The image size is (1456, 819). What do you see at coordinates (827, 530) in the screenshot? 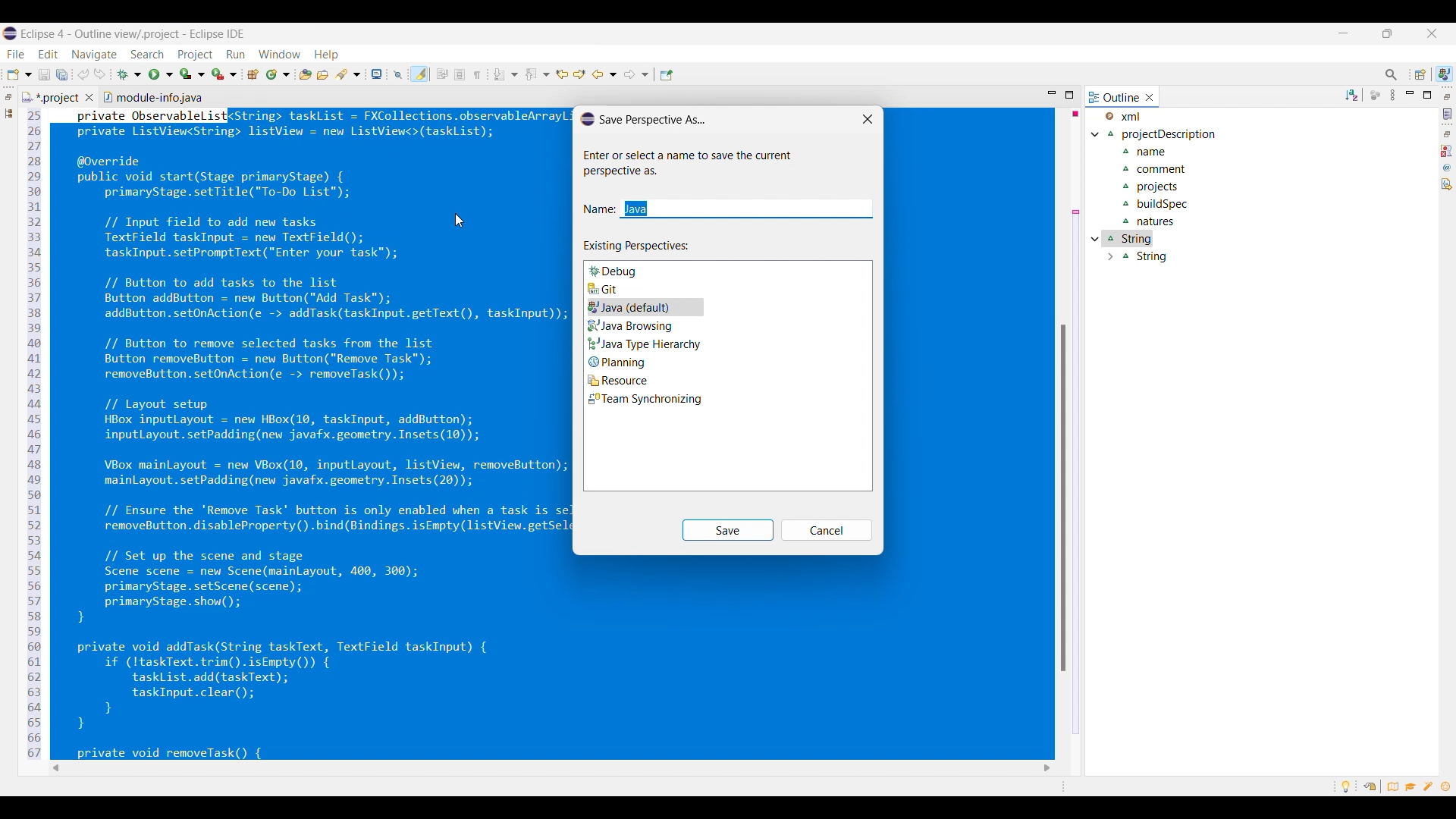
I see `Cancel` at bounding box center [827, 530].